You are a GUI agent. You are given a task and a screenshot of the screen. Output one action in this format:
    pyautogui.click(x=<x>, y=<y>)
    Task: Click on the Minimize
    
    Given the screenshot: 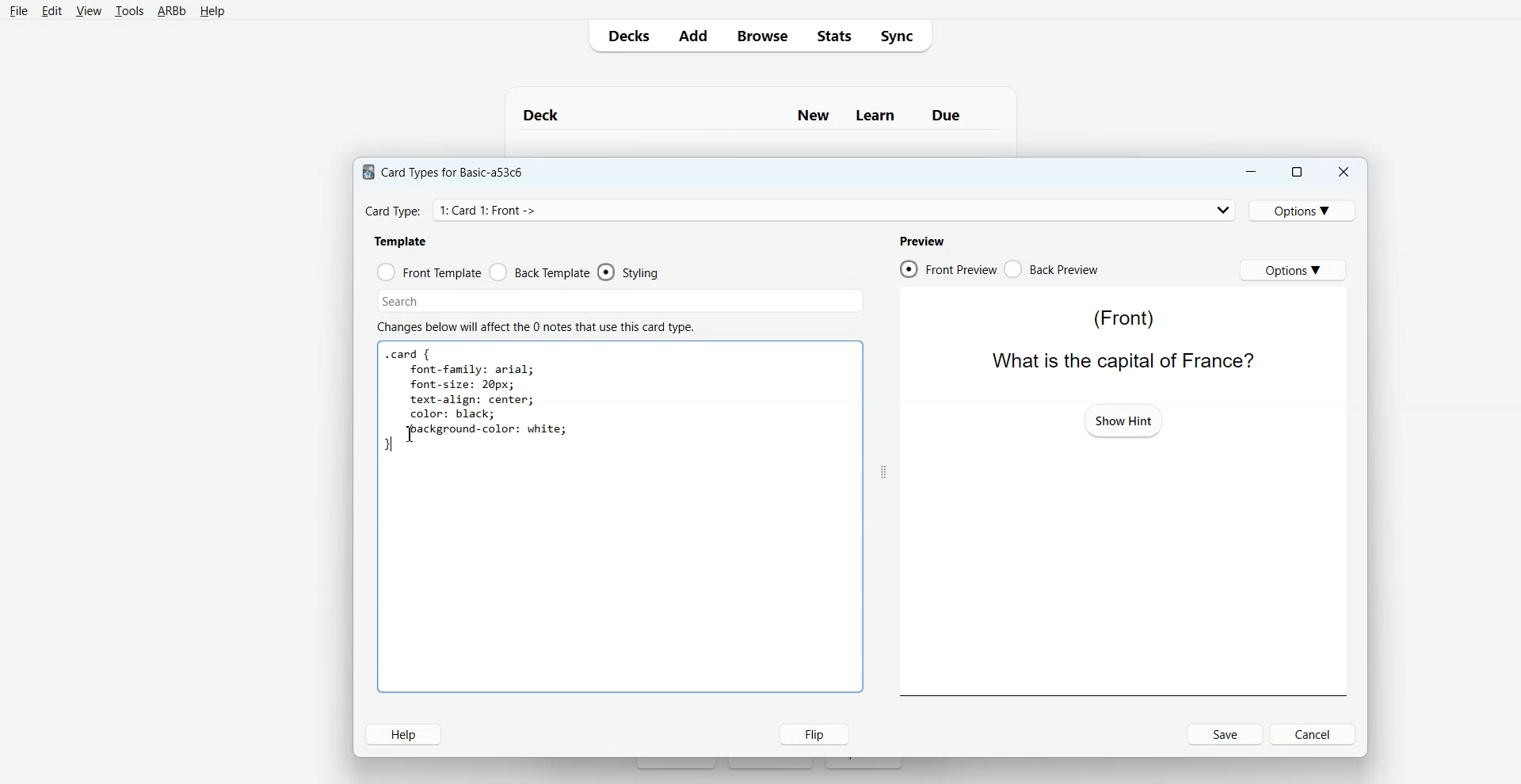 What is the action you would take?
    pyautogui.click(x=1249, y=172)
    